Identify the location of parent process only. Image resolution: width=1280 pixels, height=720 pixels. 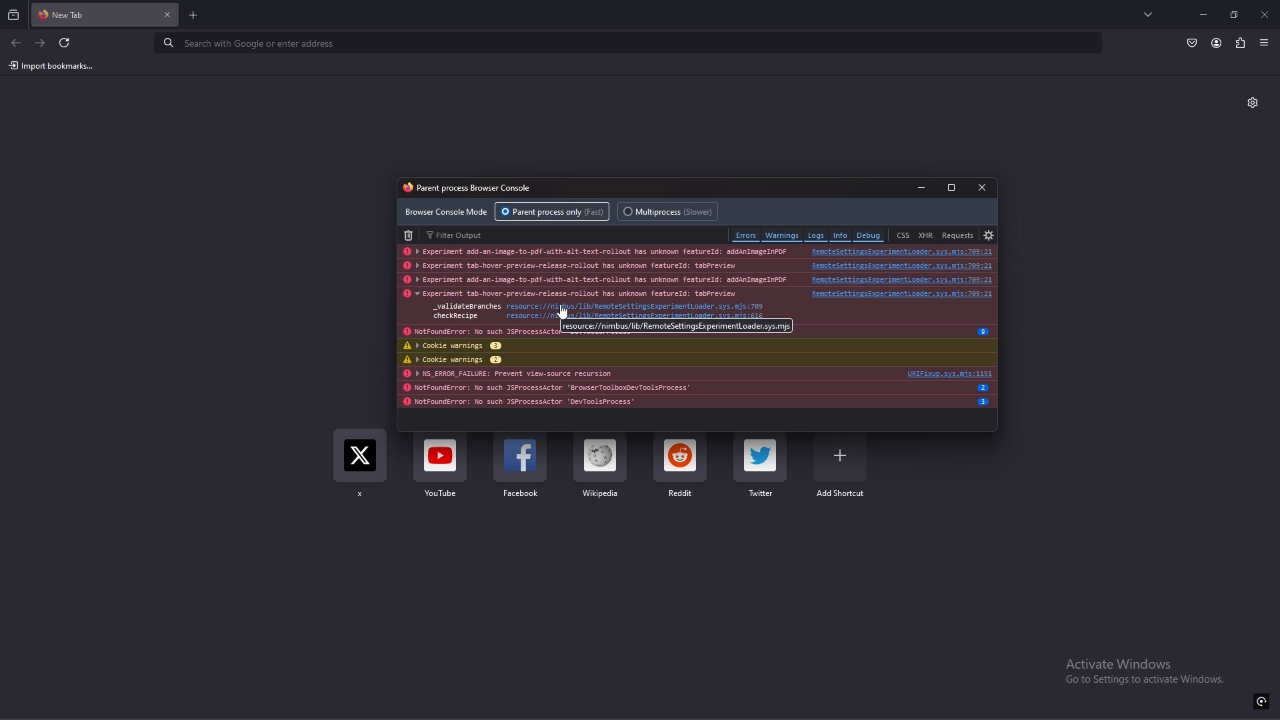
(552, 211).